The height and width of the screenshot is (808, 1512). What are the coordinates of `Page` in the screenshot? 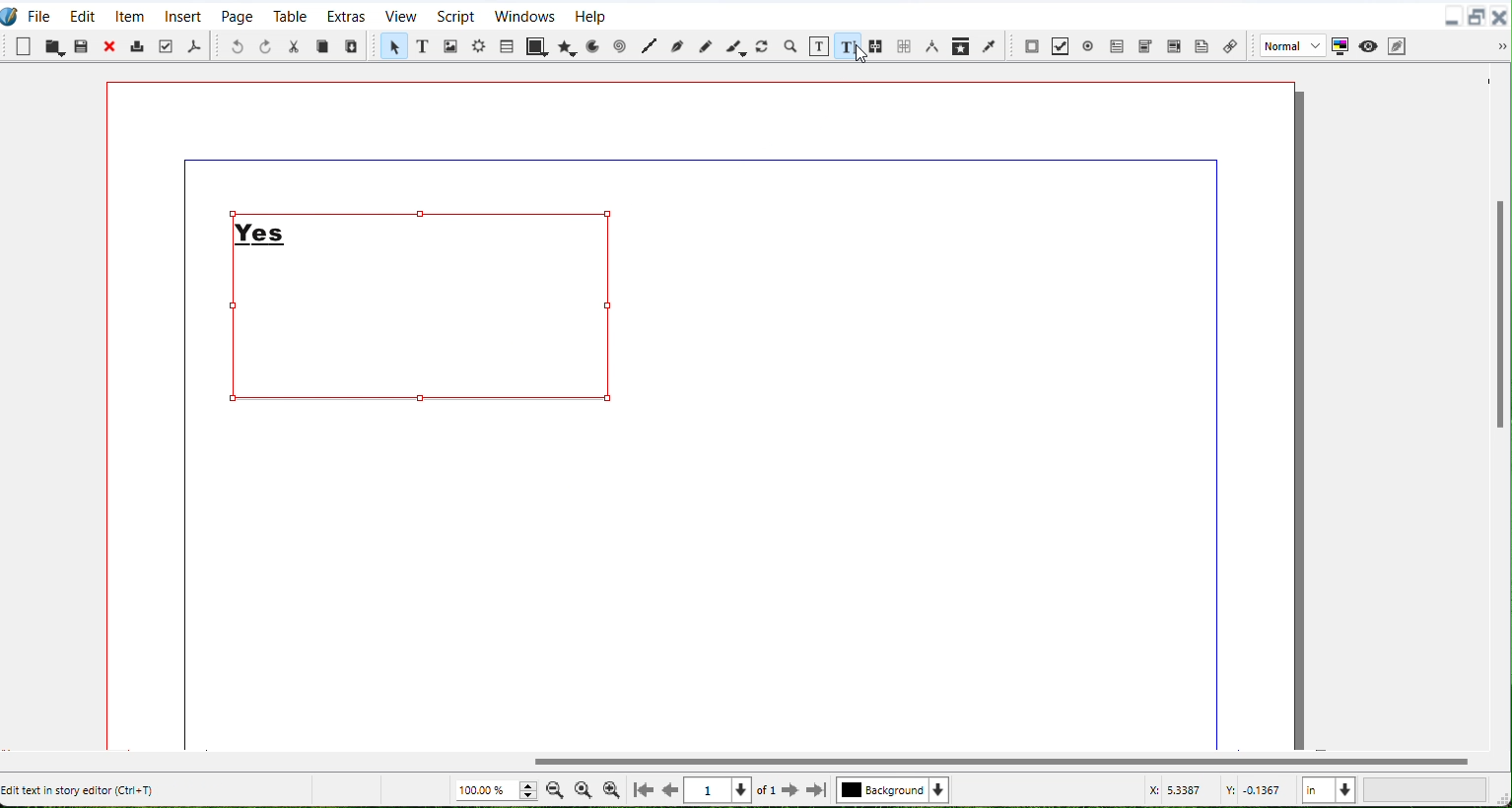 It's located at (237, 15).